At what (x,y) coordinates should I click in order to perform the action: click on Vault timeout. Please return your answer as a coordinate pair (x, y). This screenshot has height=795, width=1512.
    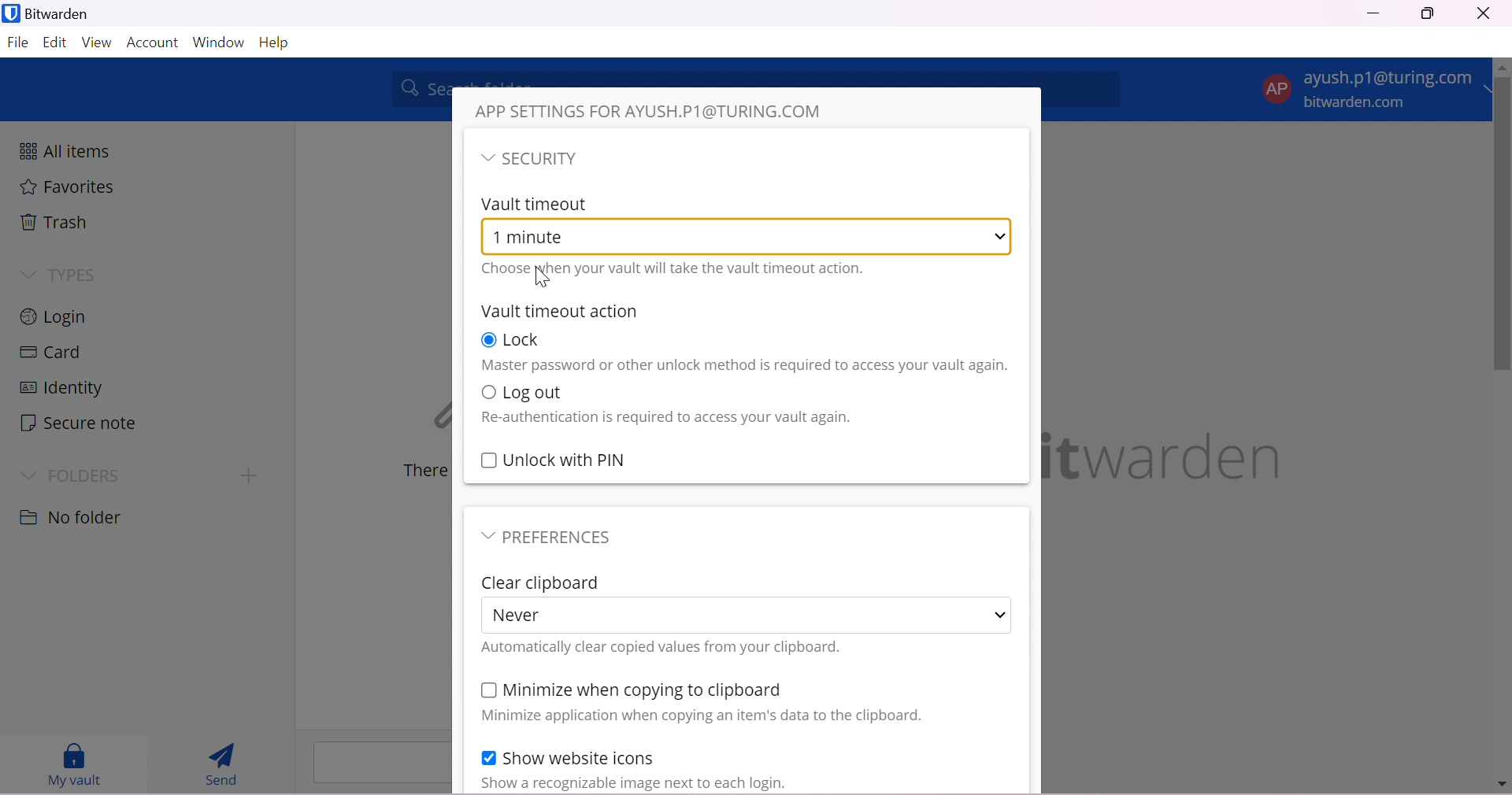
    Looking at the image, I should click on (536, 205).